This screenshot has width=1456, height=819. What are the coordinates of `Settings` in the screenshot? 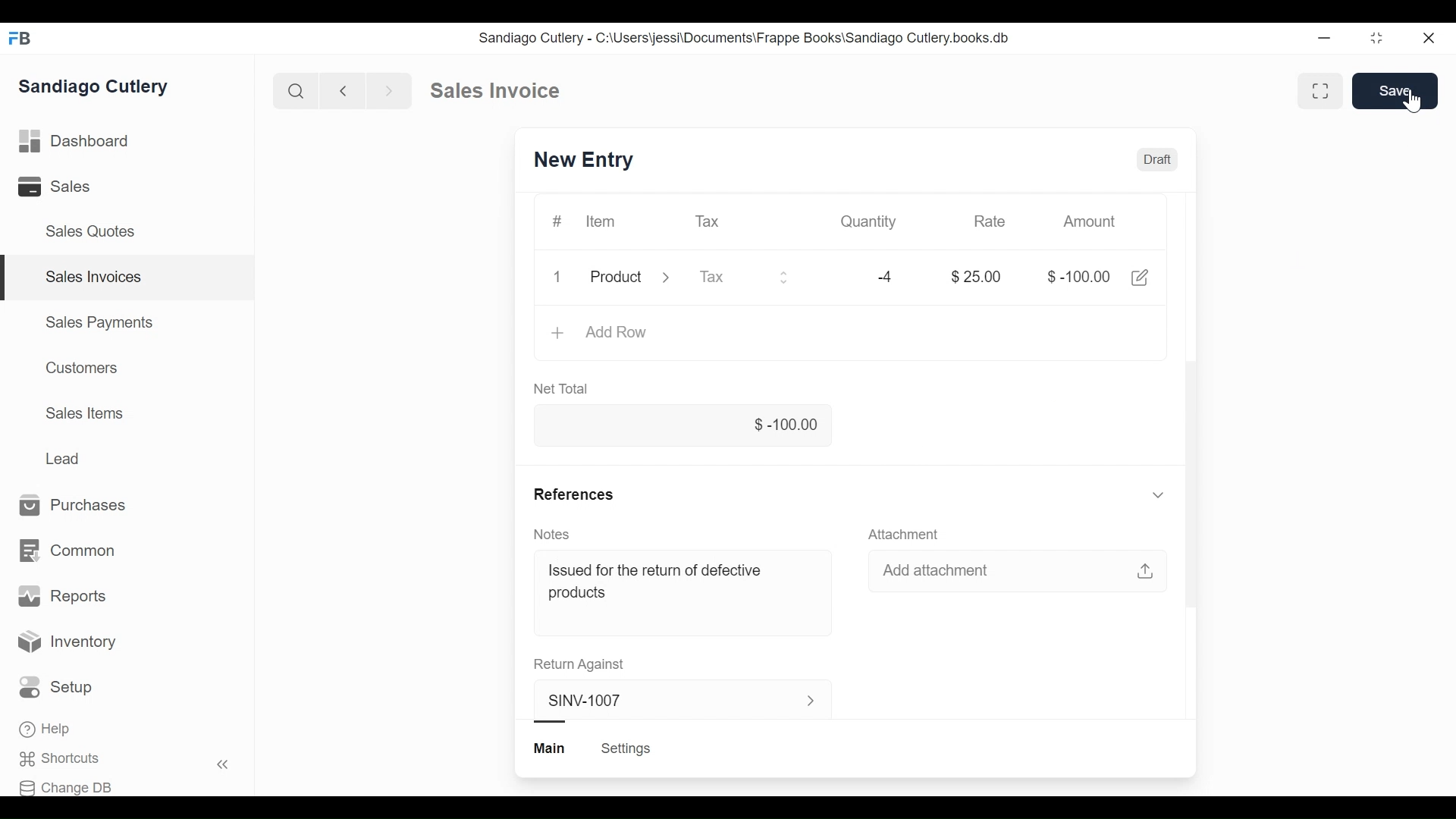 It's located at (626, 748).